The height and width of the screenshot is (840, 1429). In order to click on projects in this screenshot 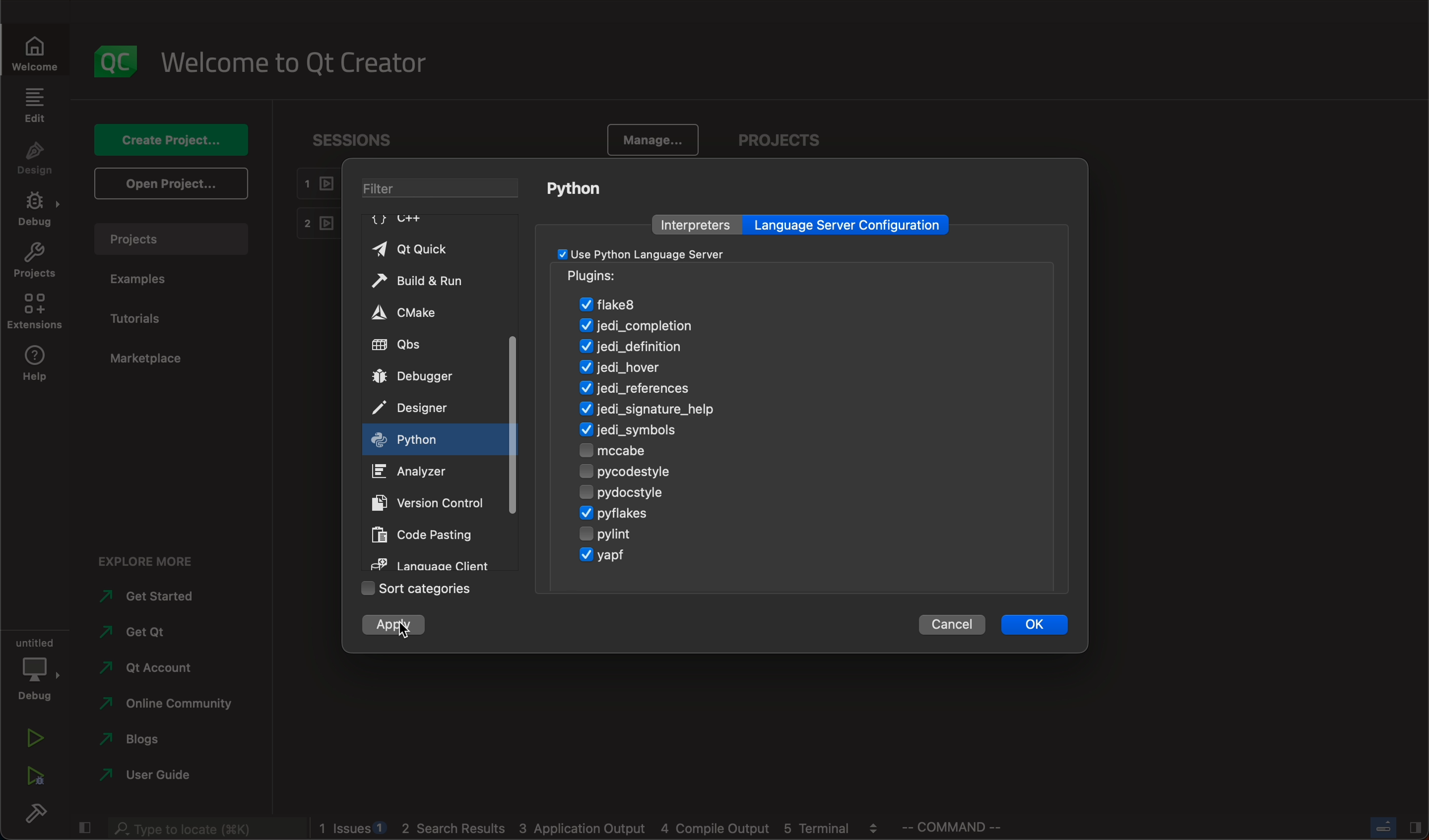, I will do `click(780, 138)`.